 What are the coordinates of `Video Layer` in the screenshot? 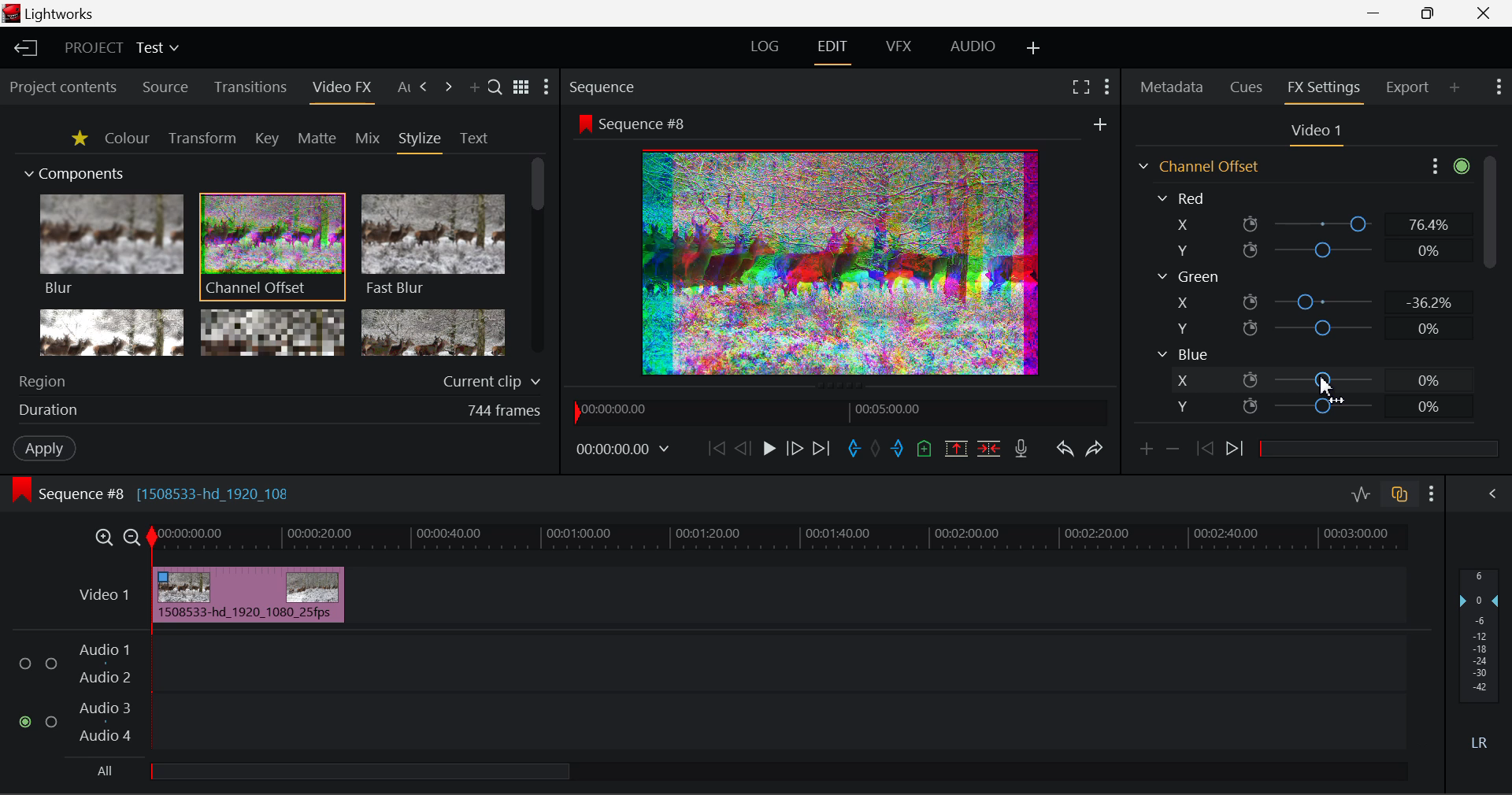 It's located at (106, 598).